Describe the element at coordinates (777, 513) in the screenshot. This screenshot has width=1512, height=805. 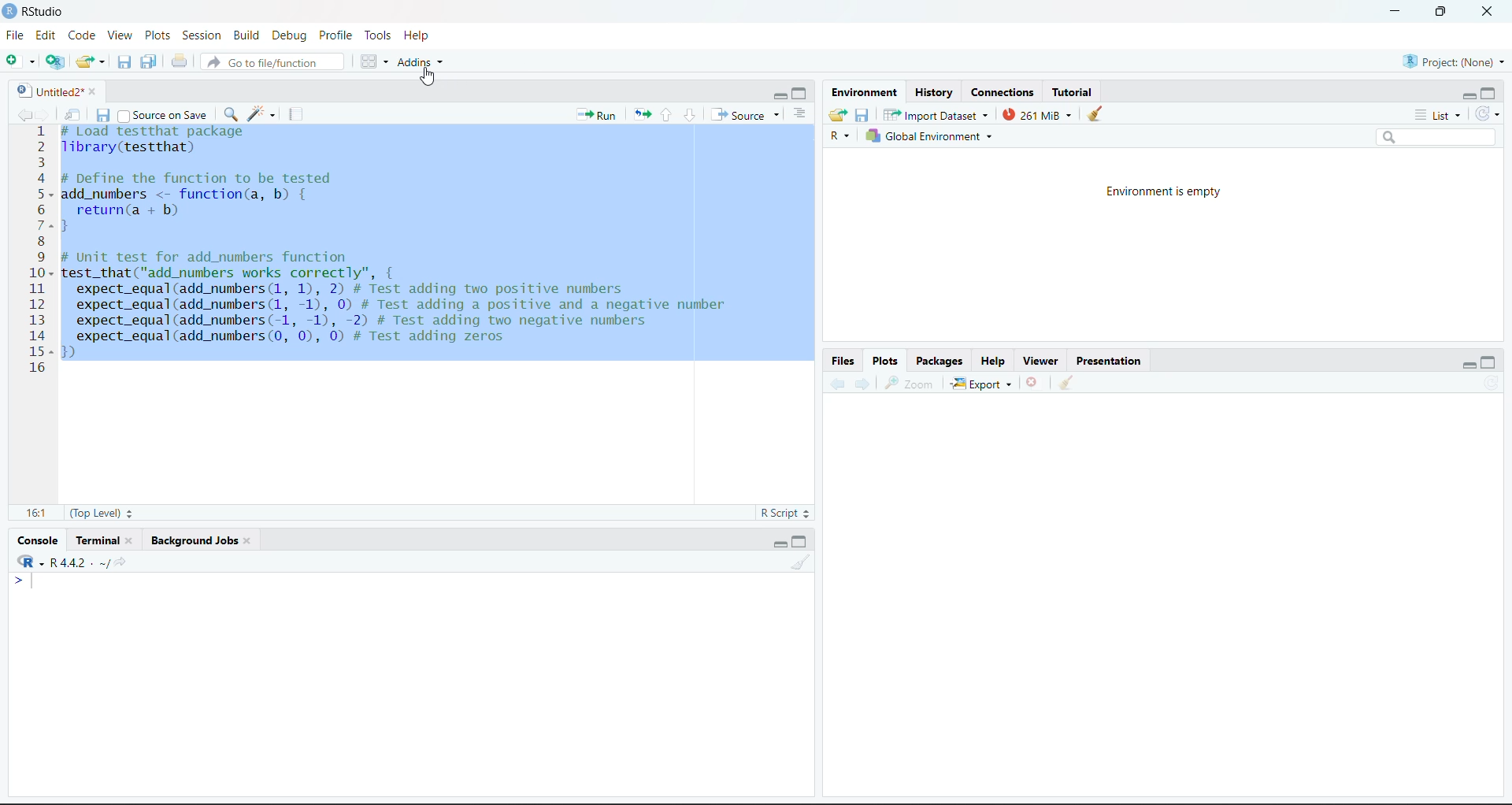
I see `R Script` at that location.